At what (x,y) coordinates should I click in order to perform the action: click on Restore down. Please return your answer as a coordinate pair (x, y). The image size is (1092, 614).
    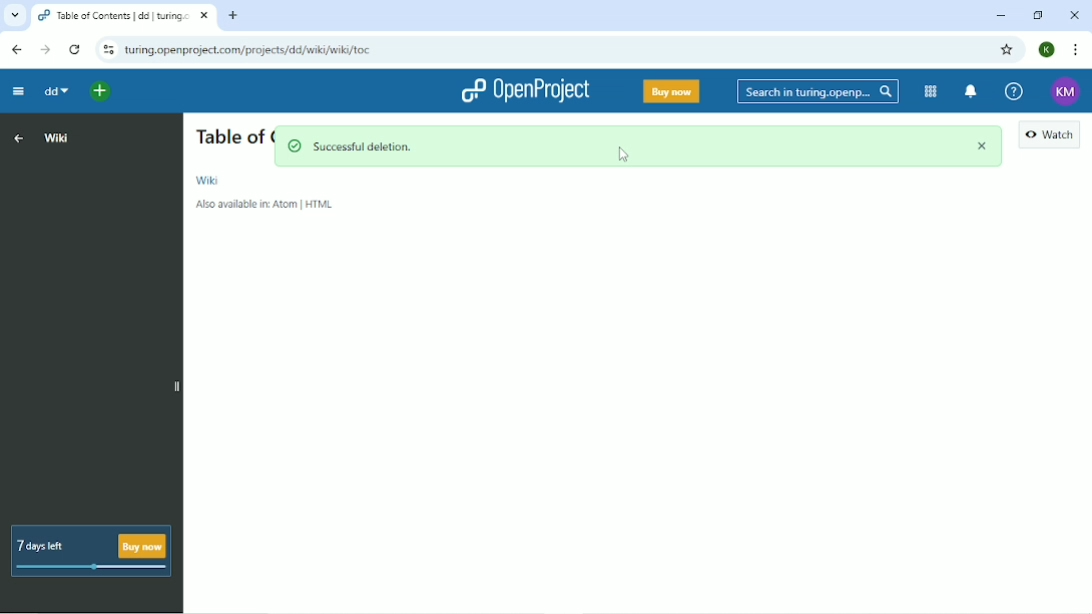
    Looking at the image, I should click on (1036, 14).